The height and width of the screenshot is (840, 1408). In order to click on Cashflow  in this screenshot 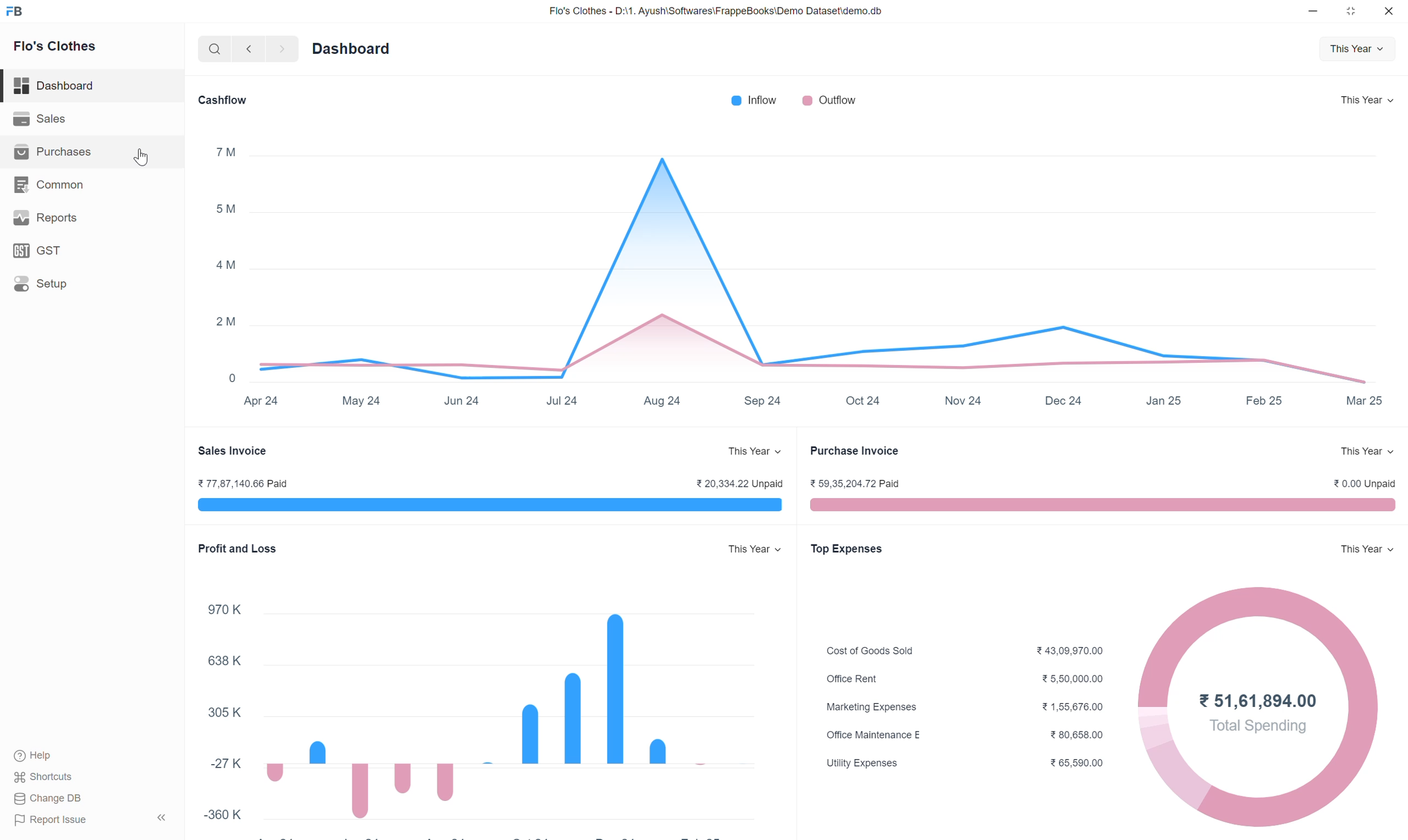, I will do `click(222, 101)`.